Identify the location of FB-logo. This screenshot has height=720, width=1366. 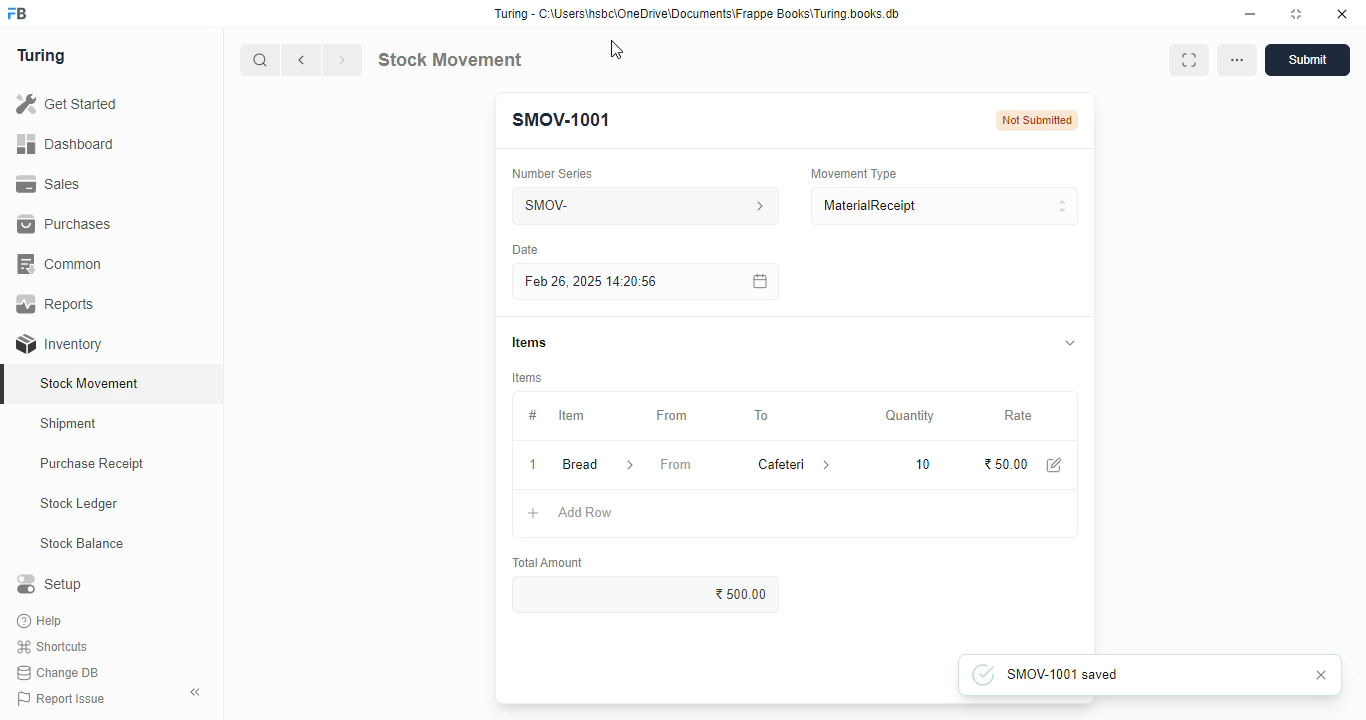
(17, 13).